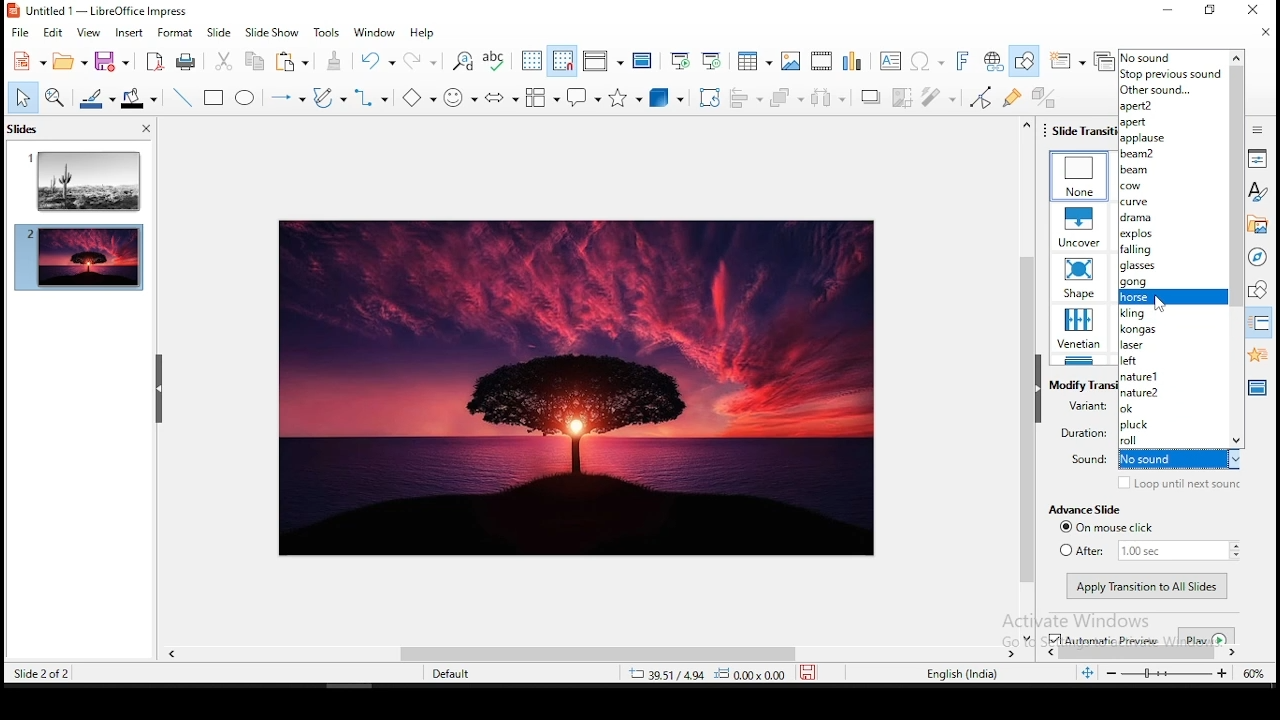 The height and width of the screenshot is (720, 1280). I want to click on connectors, so click(369, 97).